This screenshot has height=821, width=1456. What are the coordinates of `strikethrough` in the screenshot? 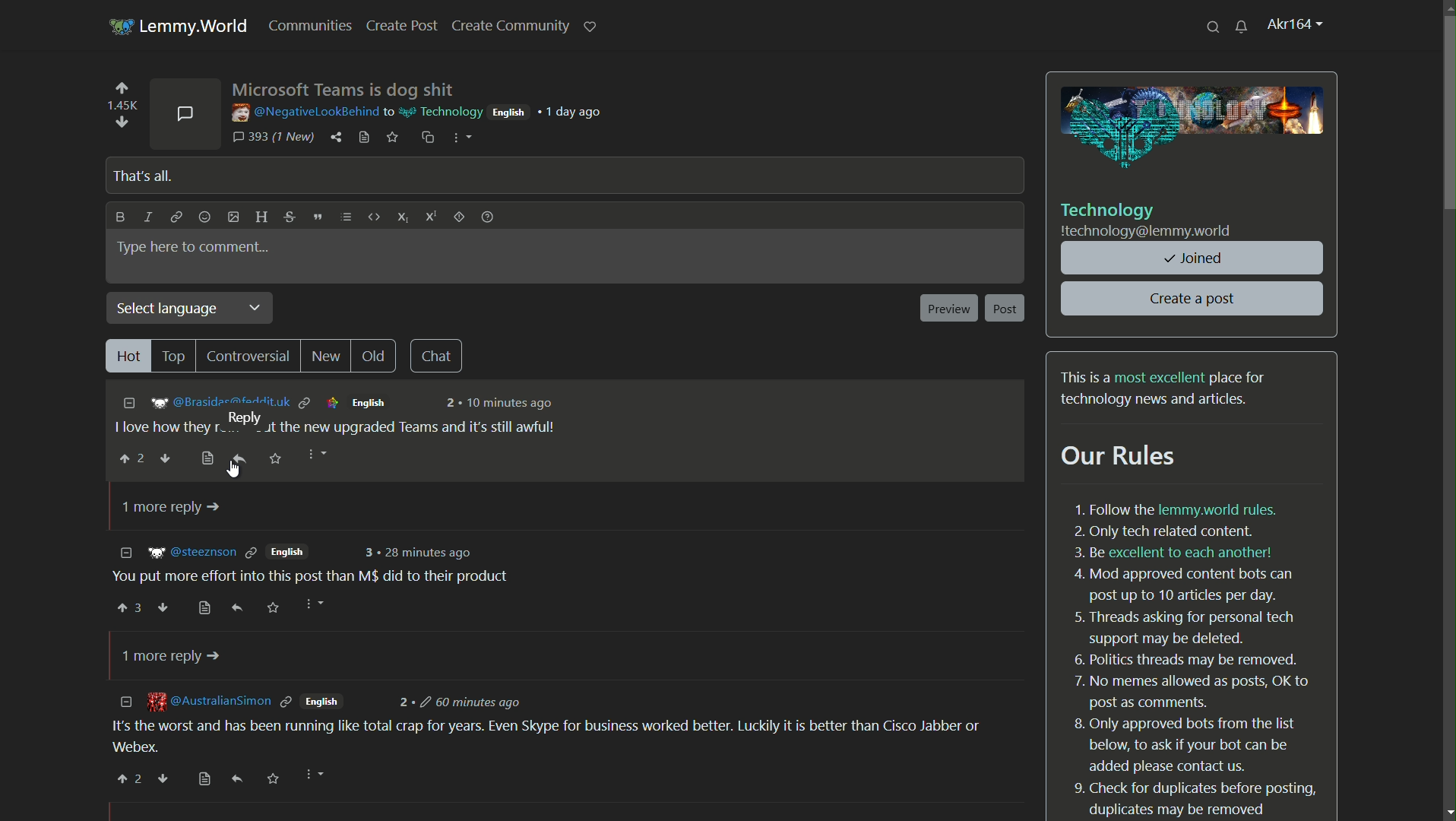 It's located at (289, 217).